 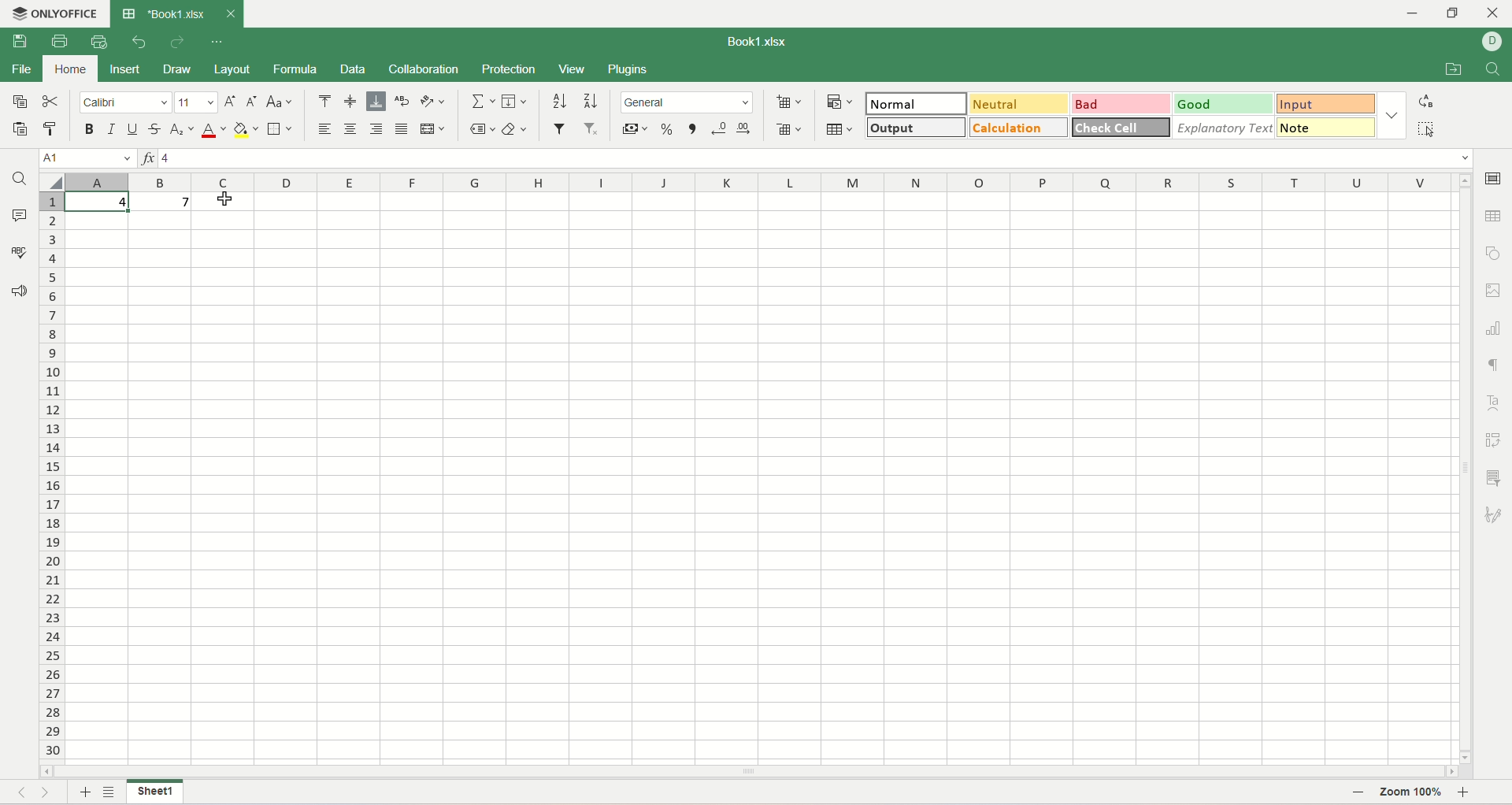 What do you see at coordinates (1493, 250) in the screenshot?
I see `object settings` at bounding box center [1493, 250].